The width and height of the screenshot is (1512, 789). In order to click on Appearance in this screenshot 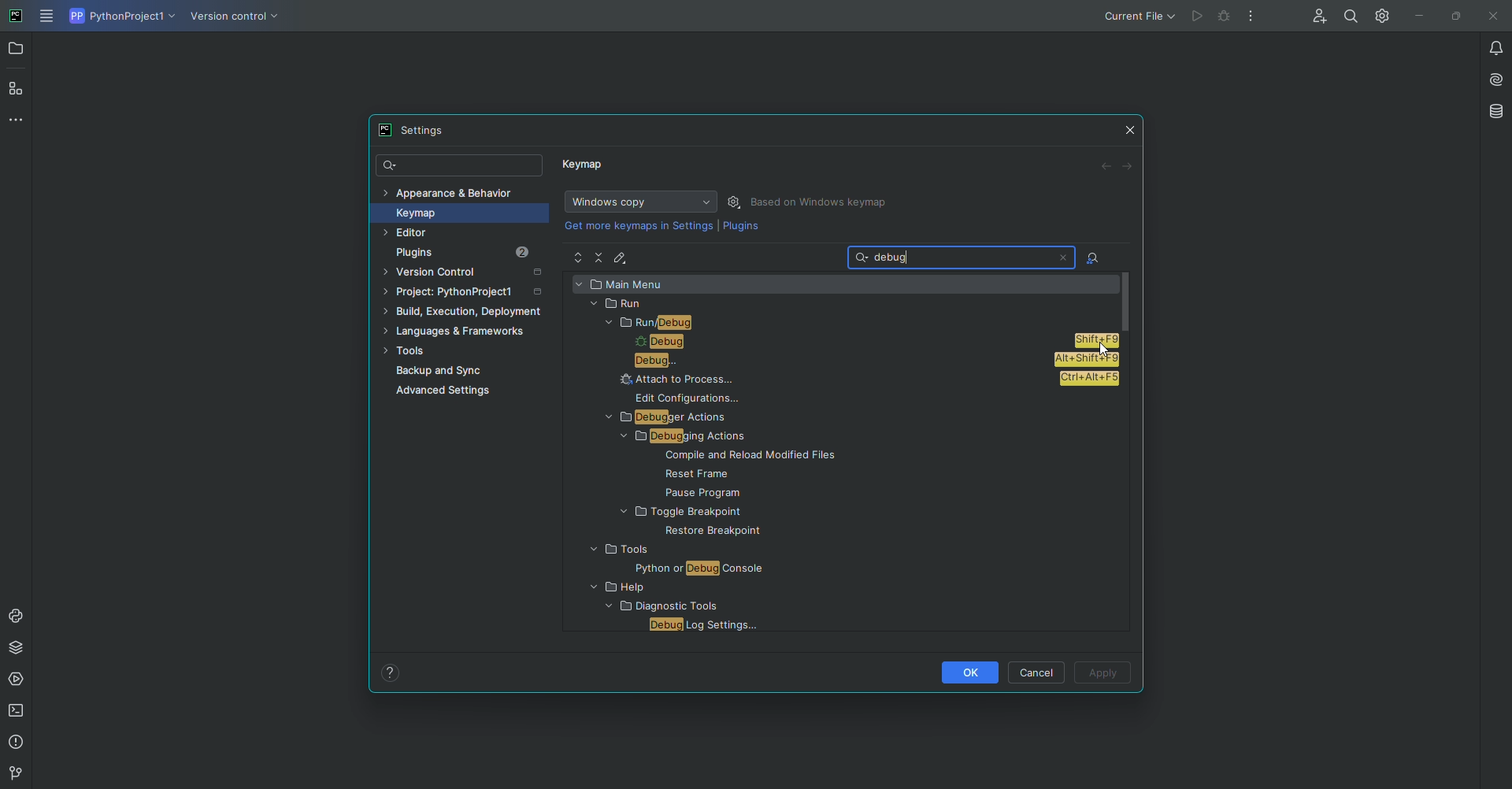, I will do `click(449, 191)`.